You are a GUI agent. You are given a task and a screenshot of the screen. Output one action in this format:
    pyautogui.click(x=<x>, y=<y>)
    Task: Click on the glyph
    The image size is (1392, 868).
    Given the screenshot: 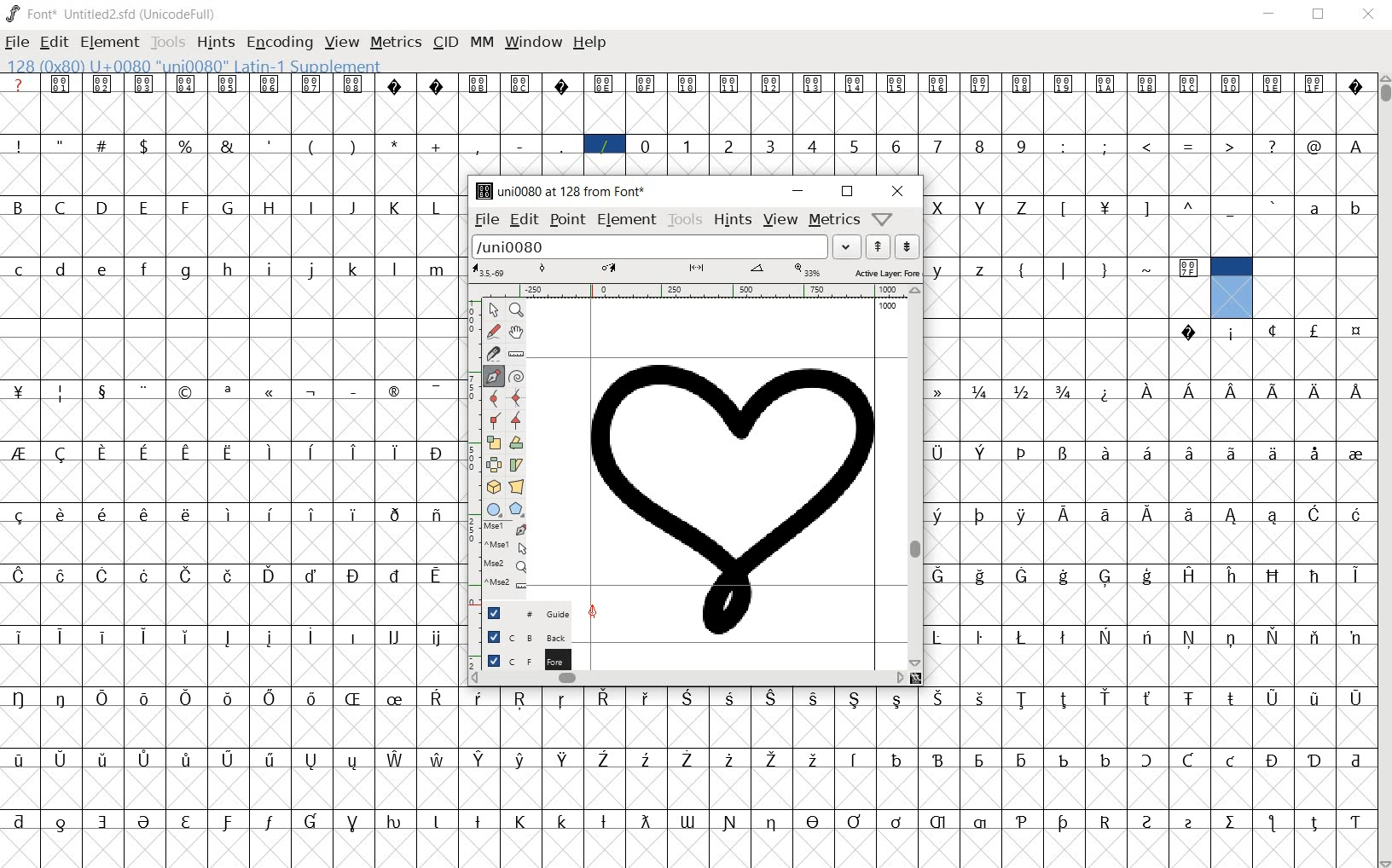 What is the action you would take?
    pyautogui.click(x=1147, y=452)
    